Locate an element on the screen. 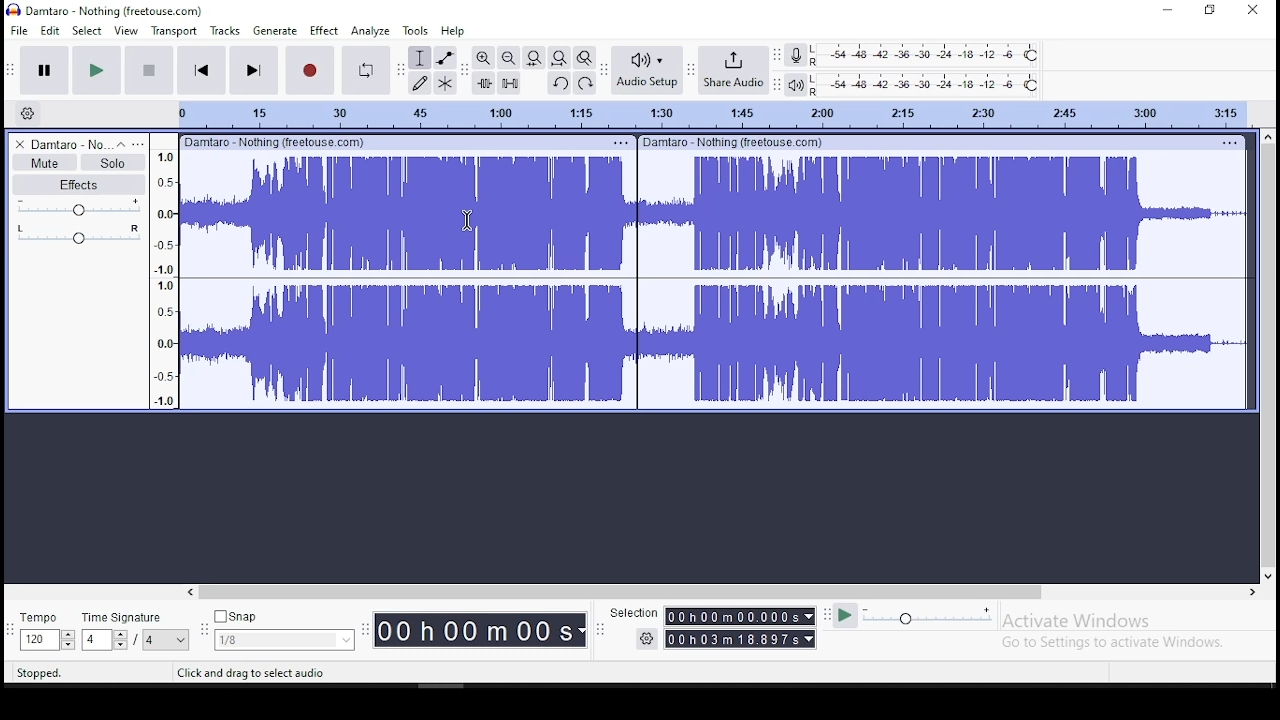  audio setup is located at coordinates (646, 71).